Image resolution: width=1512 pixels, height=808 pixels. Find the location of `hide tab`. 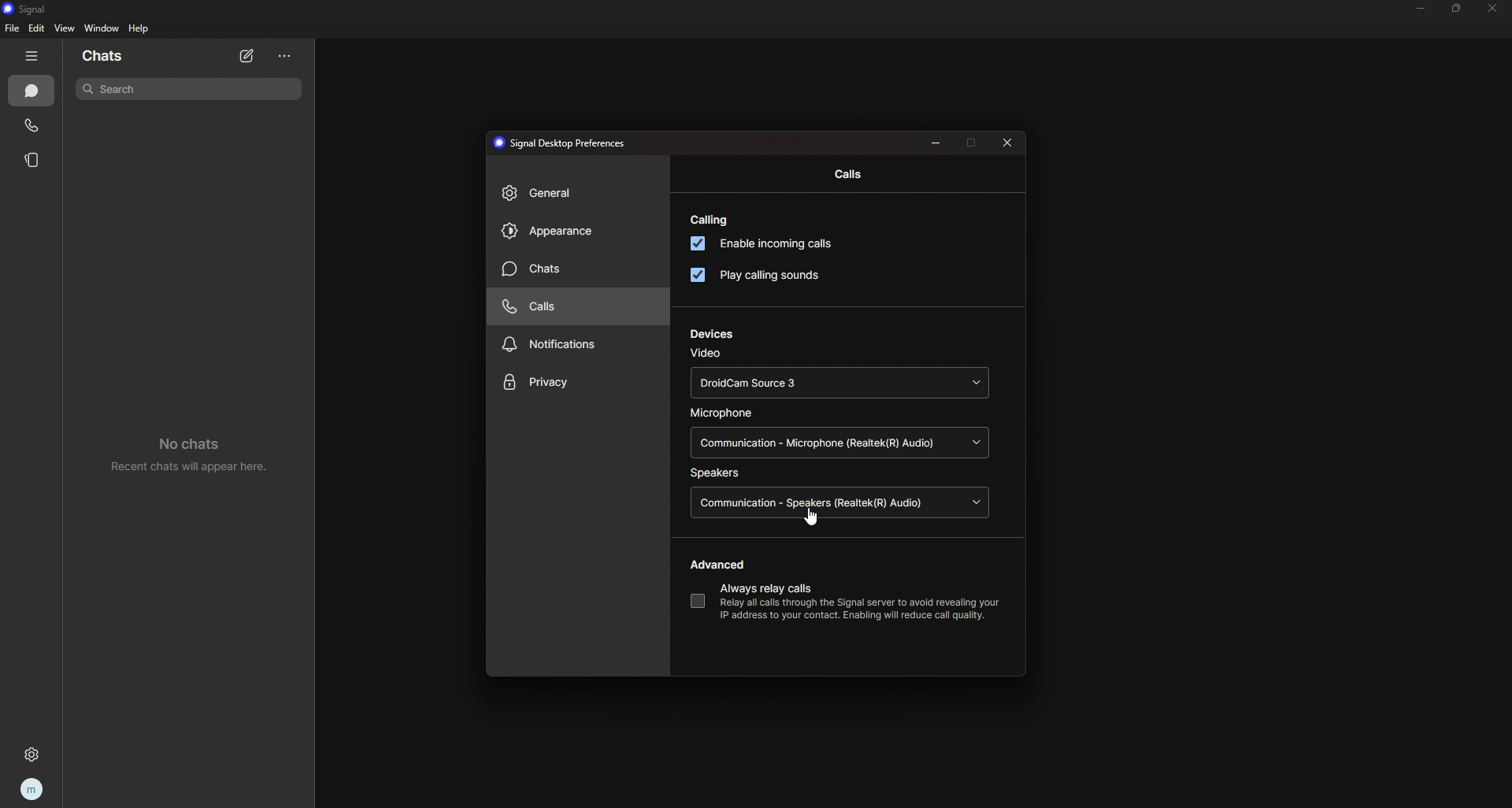

hide tab is located at coordinates (33, 56).